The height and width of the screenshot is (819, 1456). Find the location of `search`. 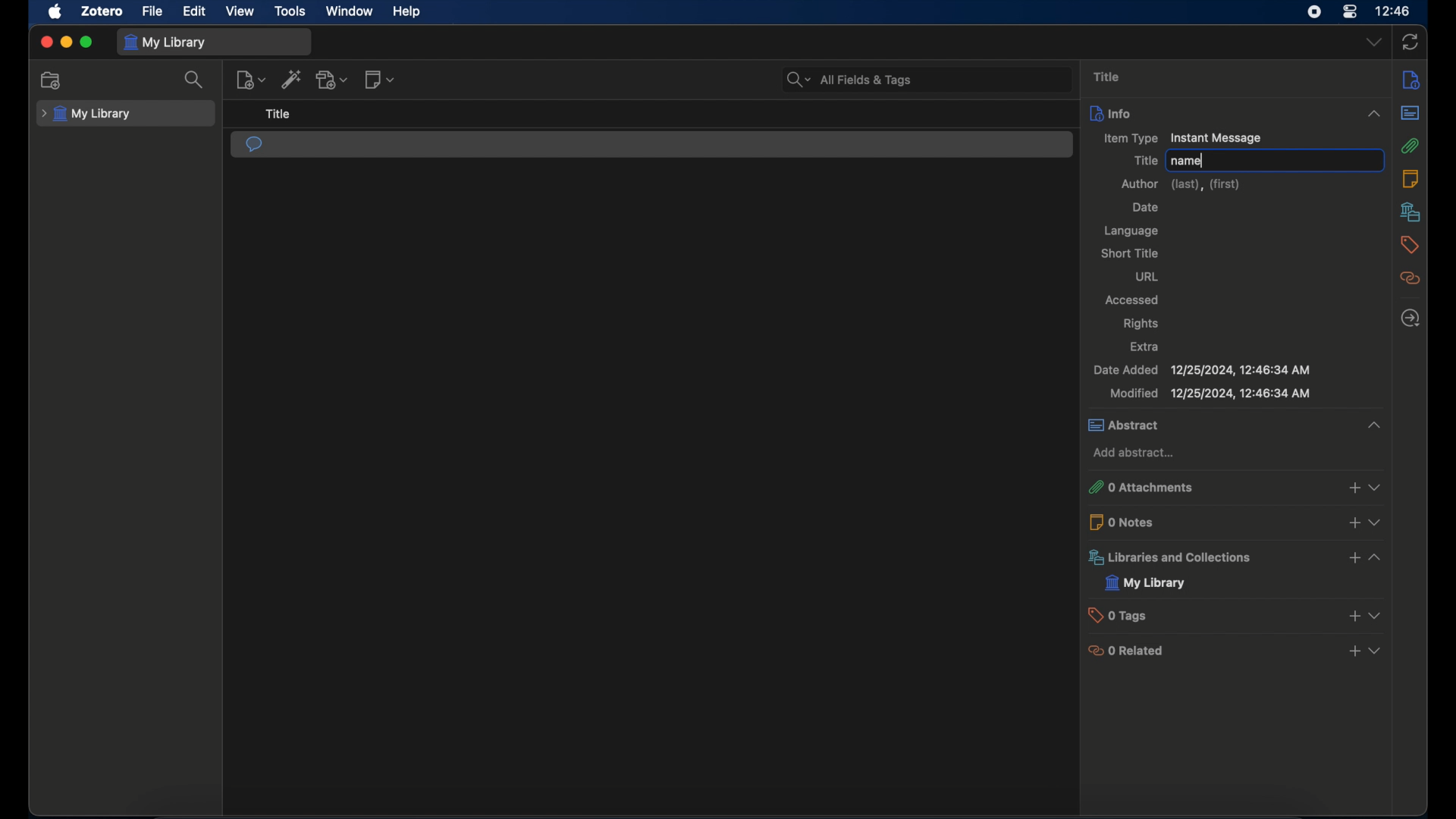

search is located at coordinates (194, 80).